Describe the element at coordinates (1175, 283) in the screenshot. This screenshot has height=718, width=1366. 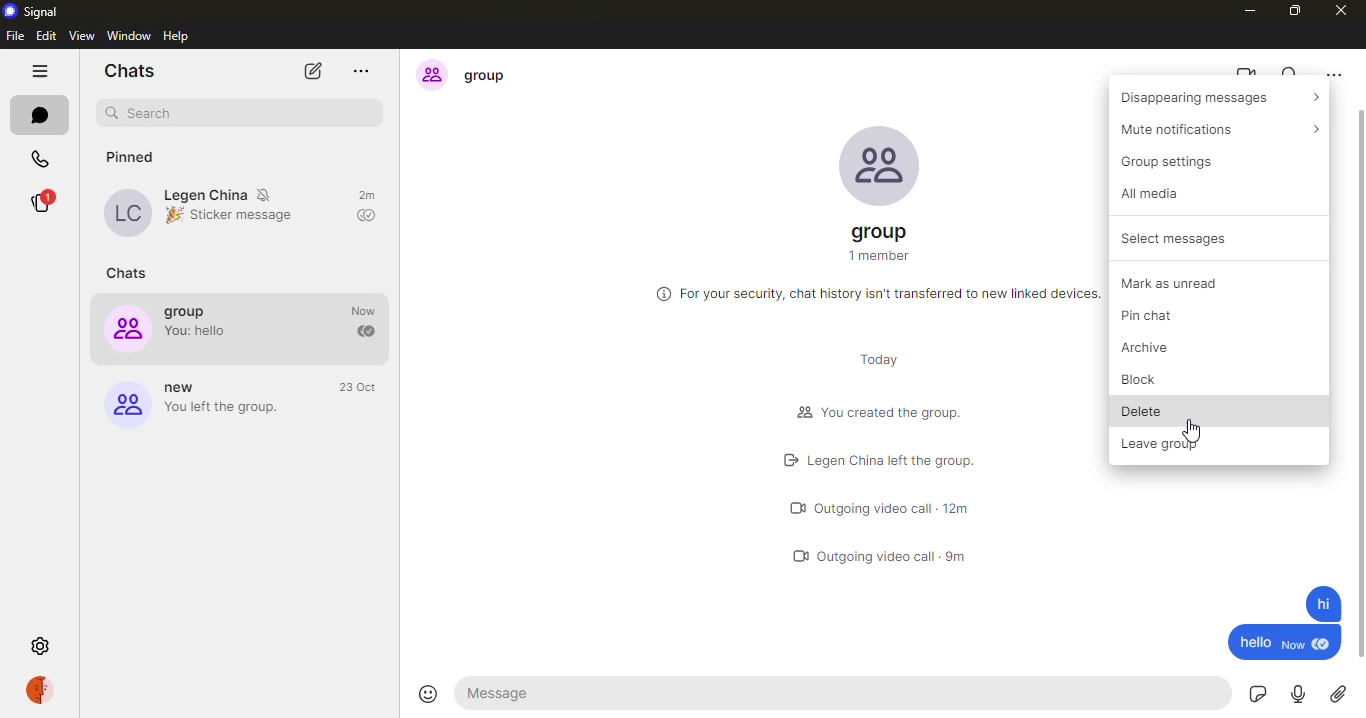
I see `mark as unread` at that location.